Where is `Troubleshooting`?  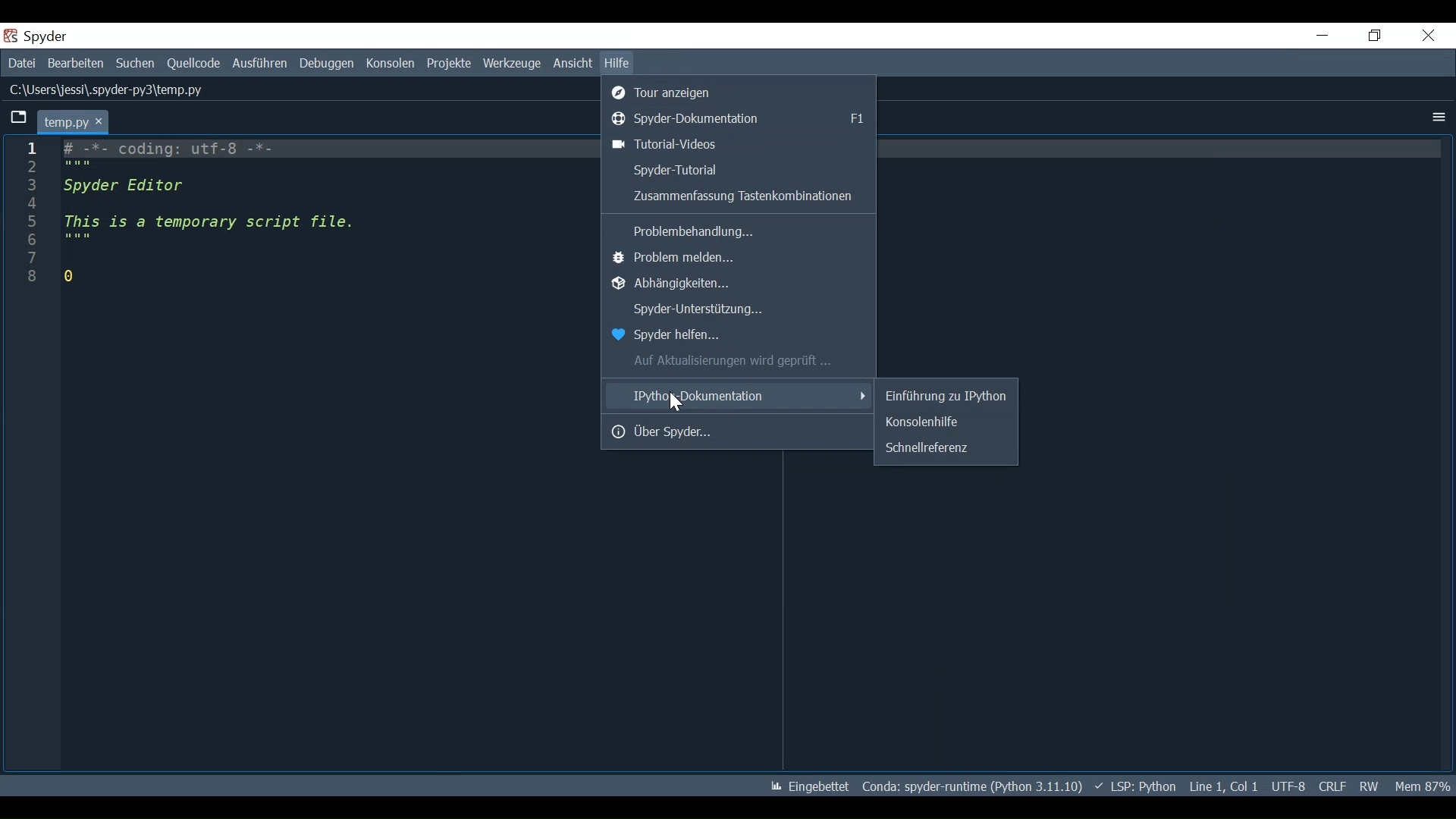 Troubleshooting is located at coordinates (739, 229).